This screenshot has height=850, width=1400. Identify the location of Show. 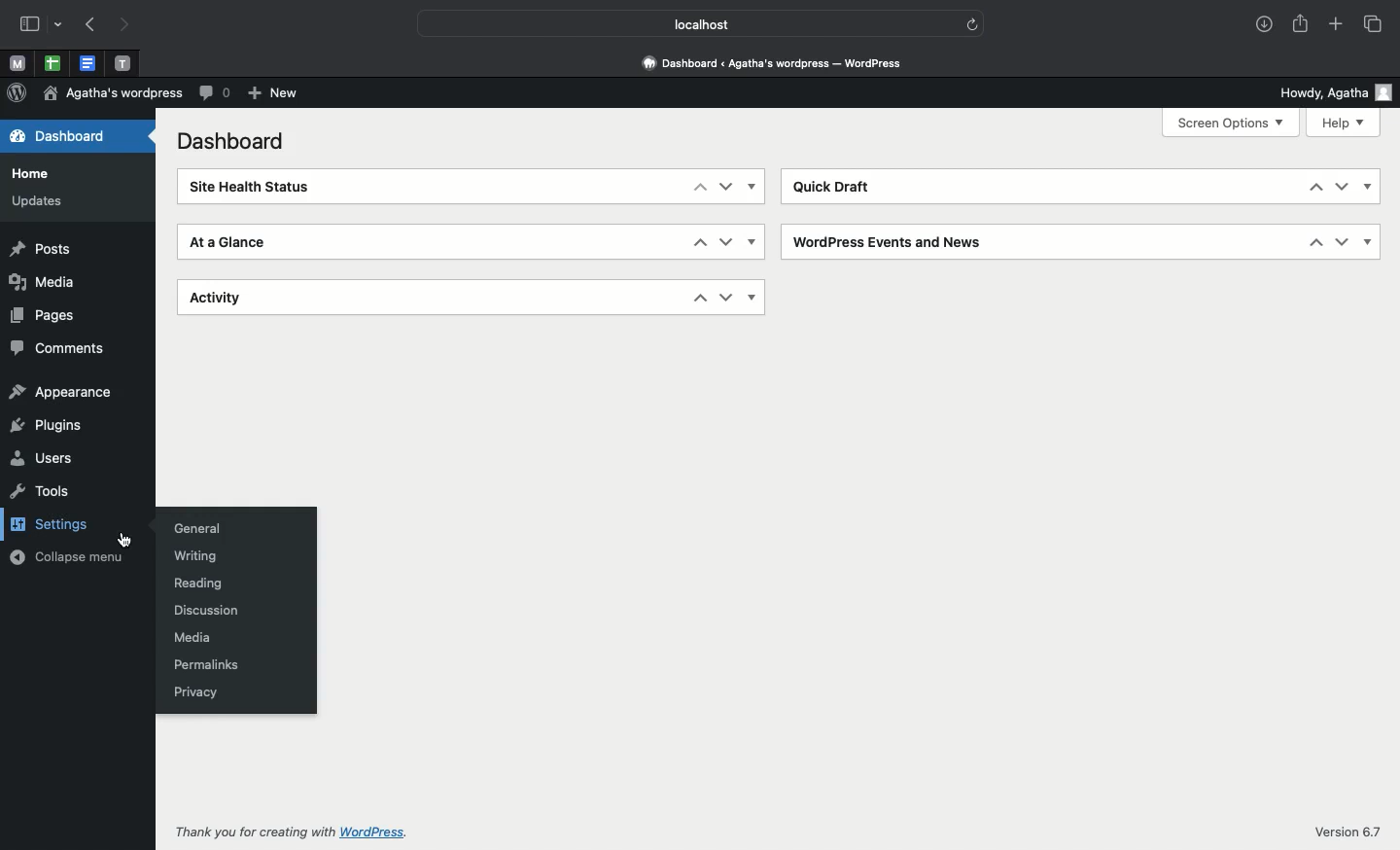
(1369, 188).